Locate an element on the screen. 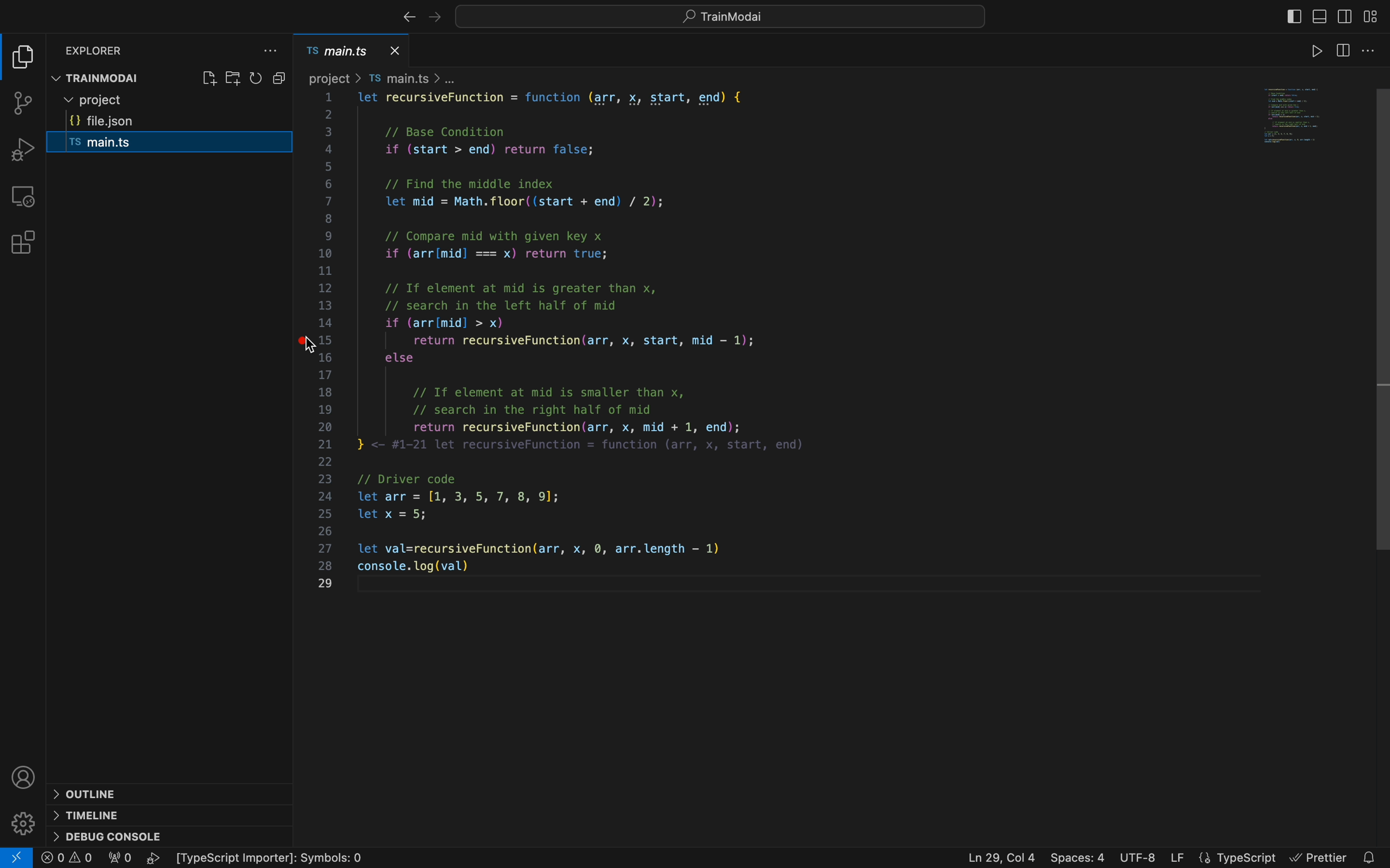 Image resolution: width=1390 pixels, height=868 pixels. create file is located at coordinates (207, 79).